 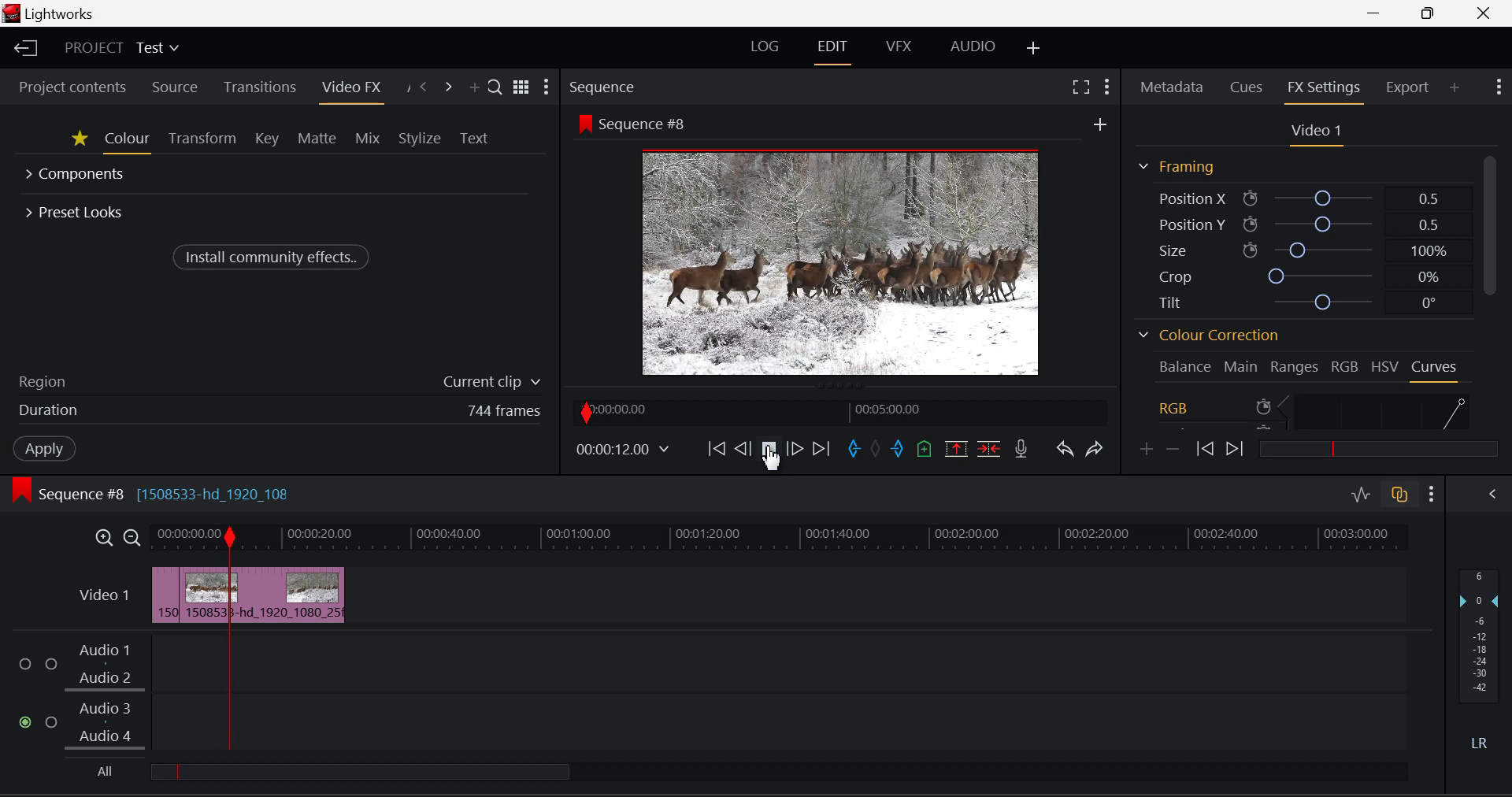 I want to click on AUDIO Layout, so click(x=975, y=46).